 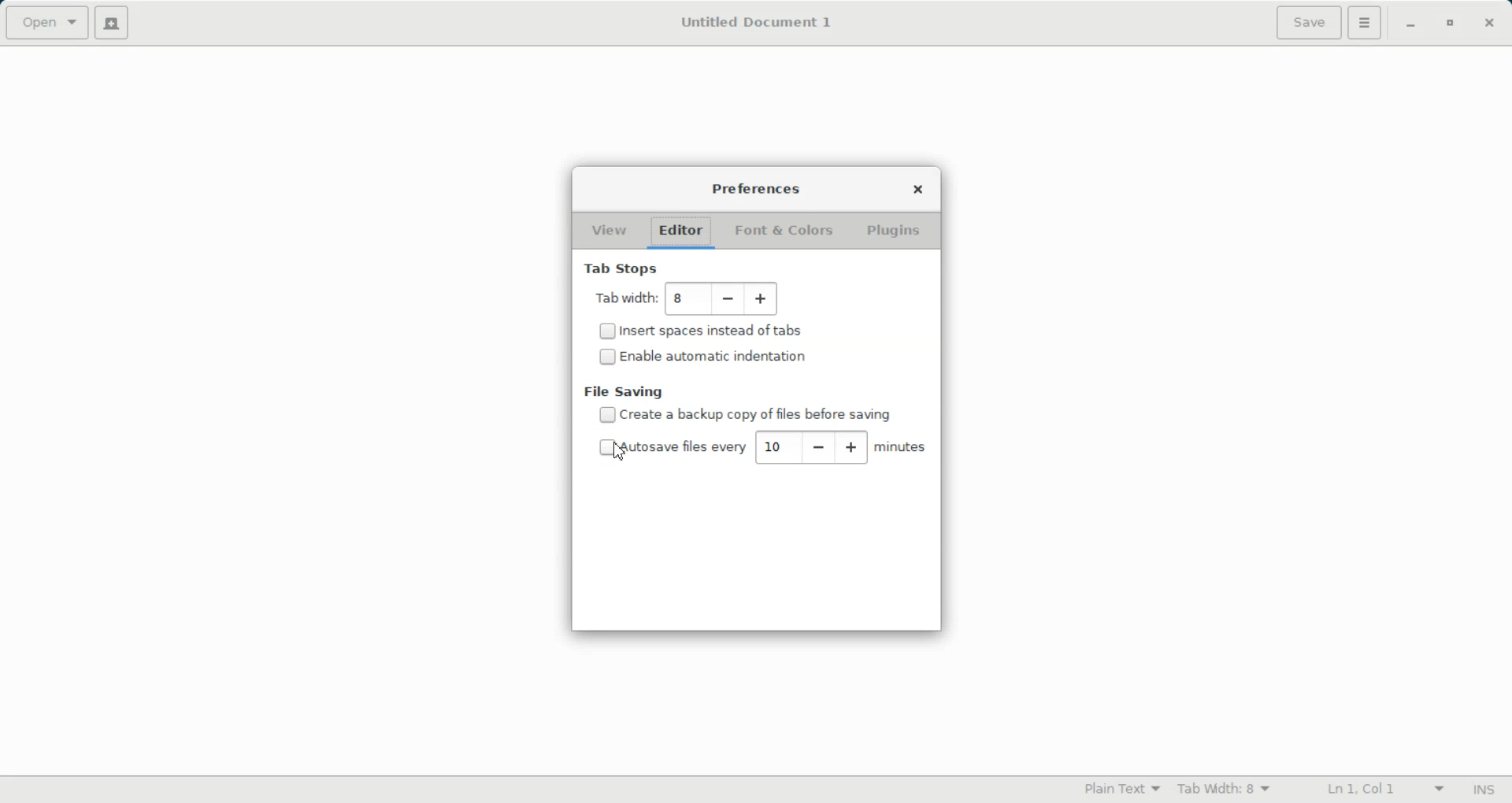 What do you see at coordinates (702, 355) in the screenshot?
I see `Disable/ Enable automatic indentation` at bounding box center [702, 355].